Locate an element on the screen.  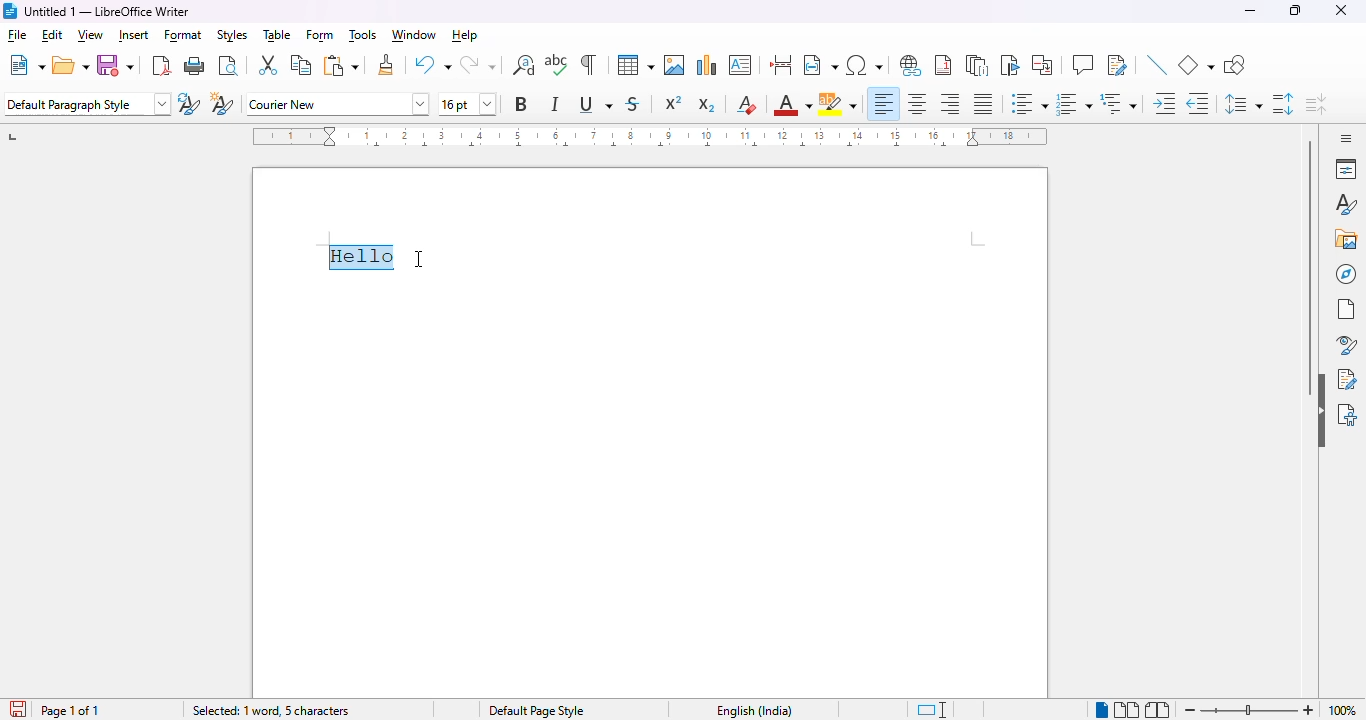
insert comment is located at coordinates (1083, 65).